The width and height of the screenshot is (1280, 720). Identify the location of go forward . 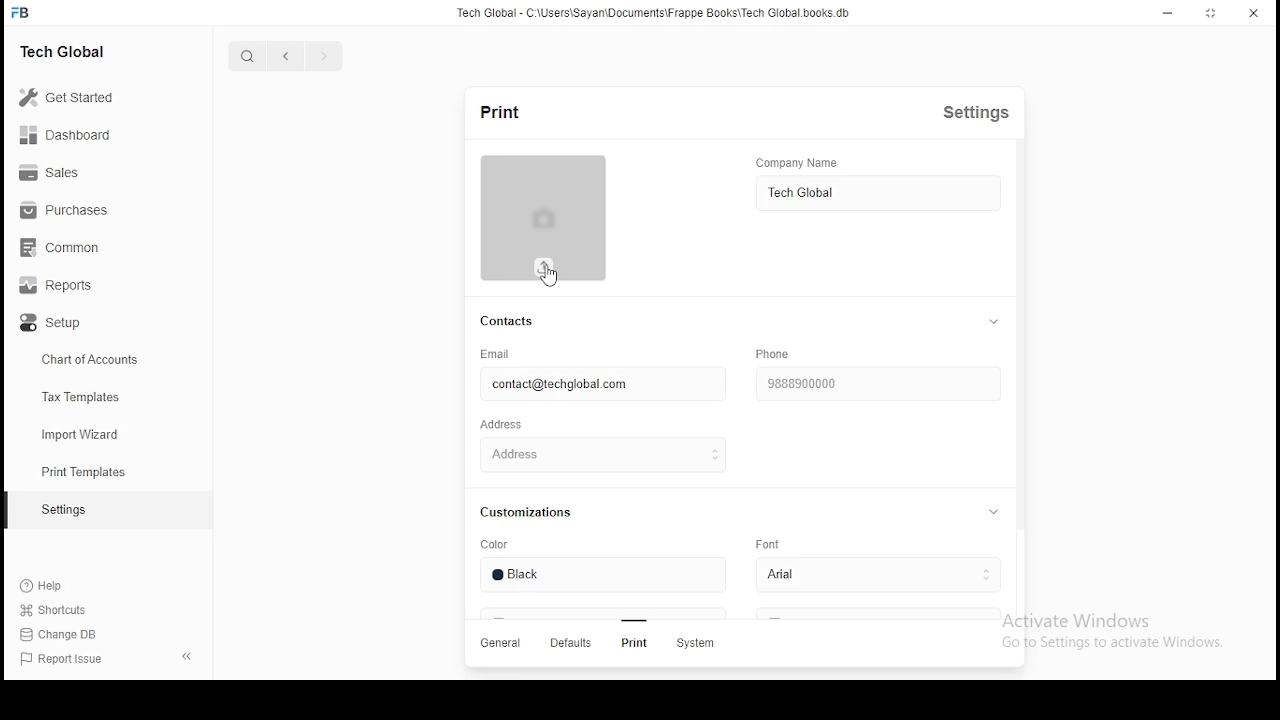
(323, 58).